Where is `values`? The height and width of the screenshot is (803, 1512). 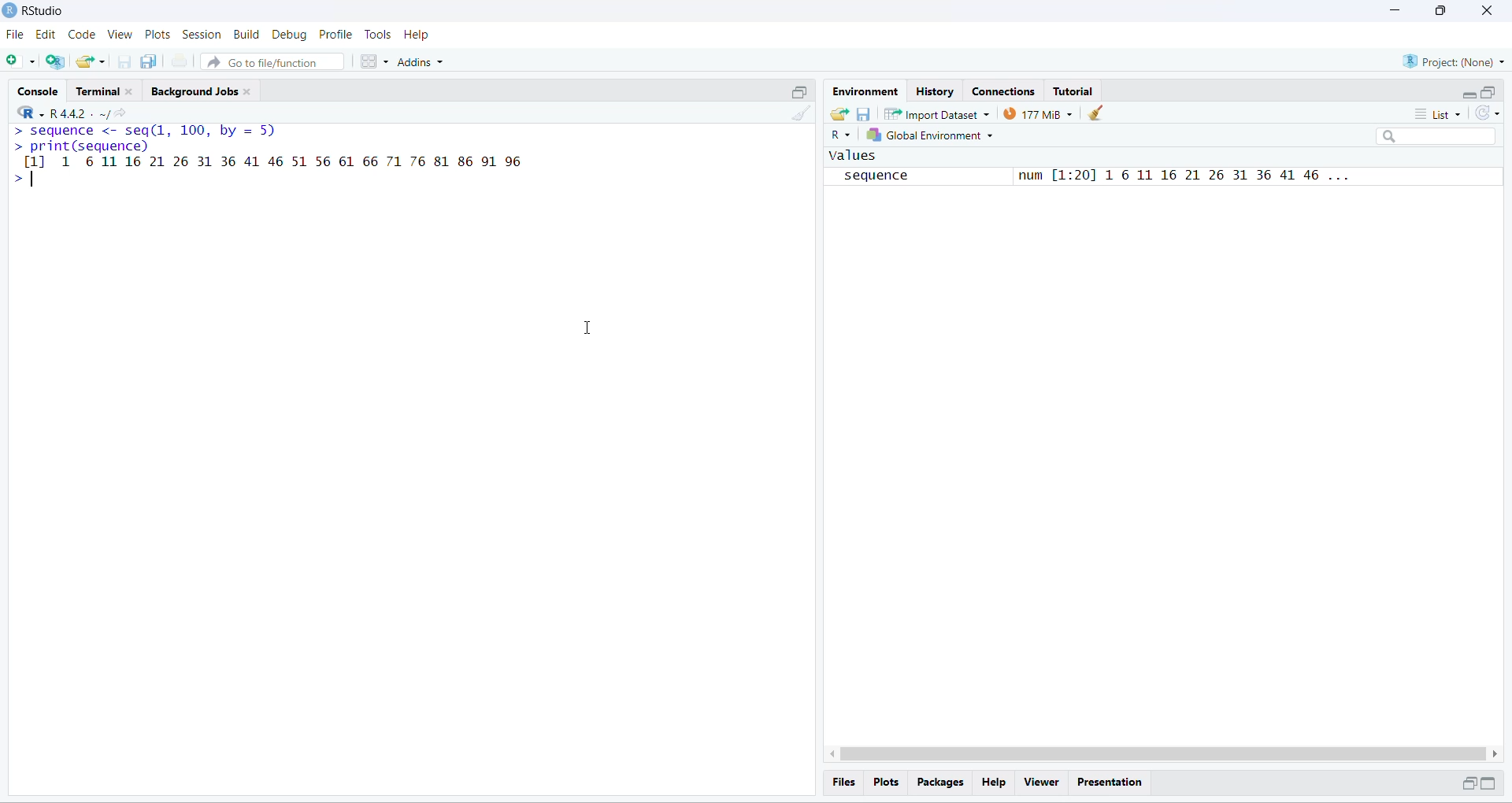 values is located at coordinates (854, 155).